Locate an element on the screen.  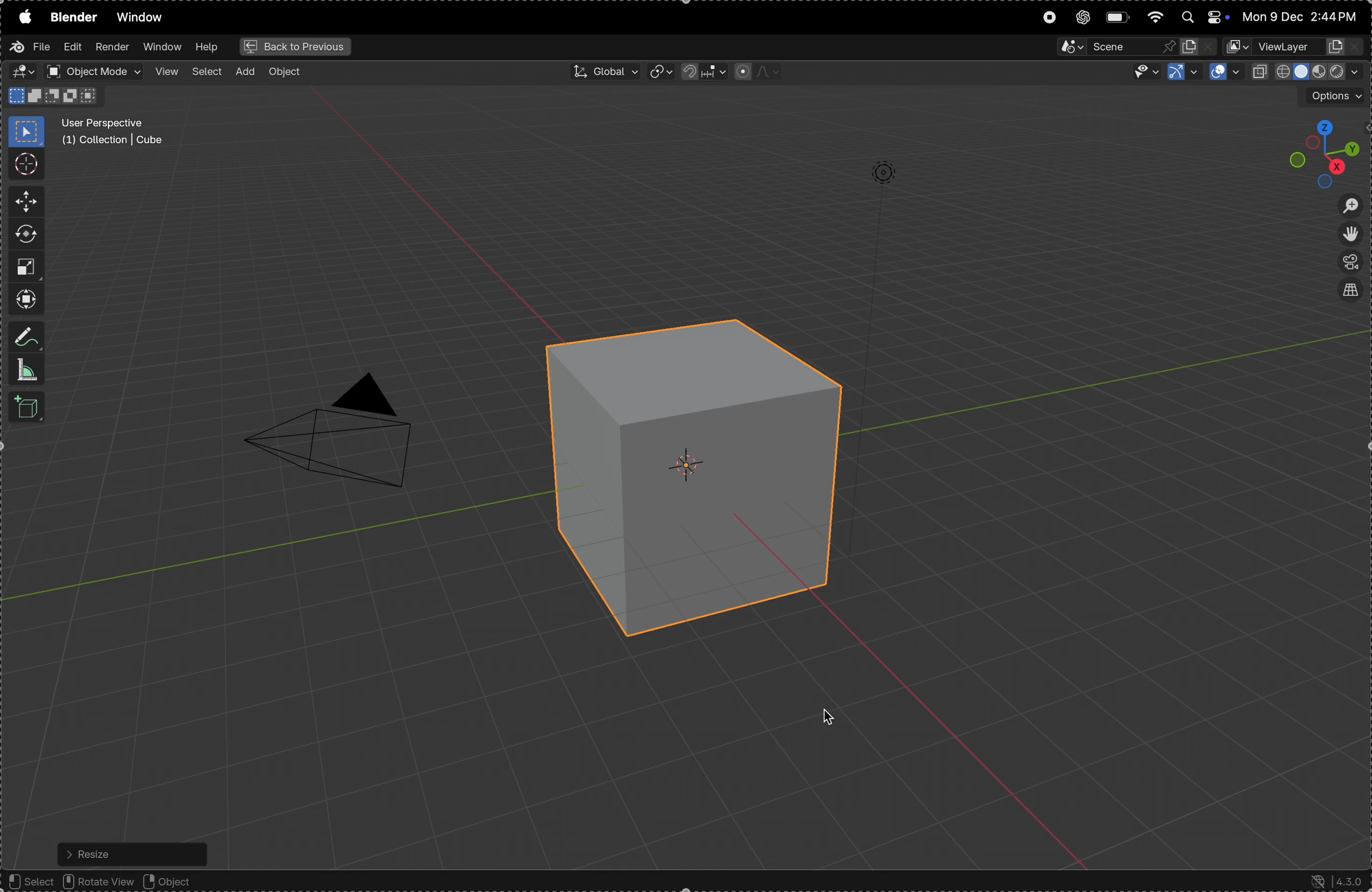
enlarged cube is located at coordinates (704, 474).